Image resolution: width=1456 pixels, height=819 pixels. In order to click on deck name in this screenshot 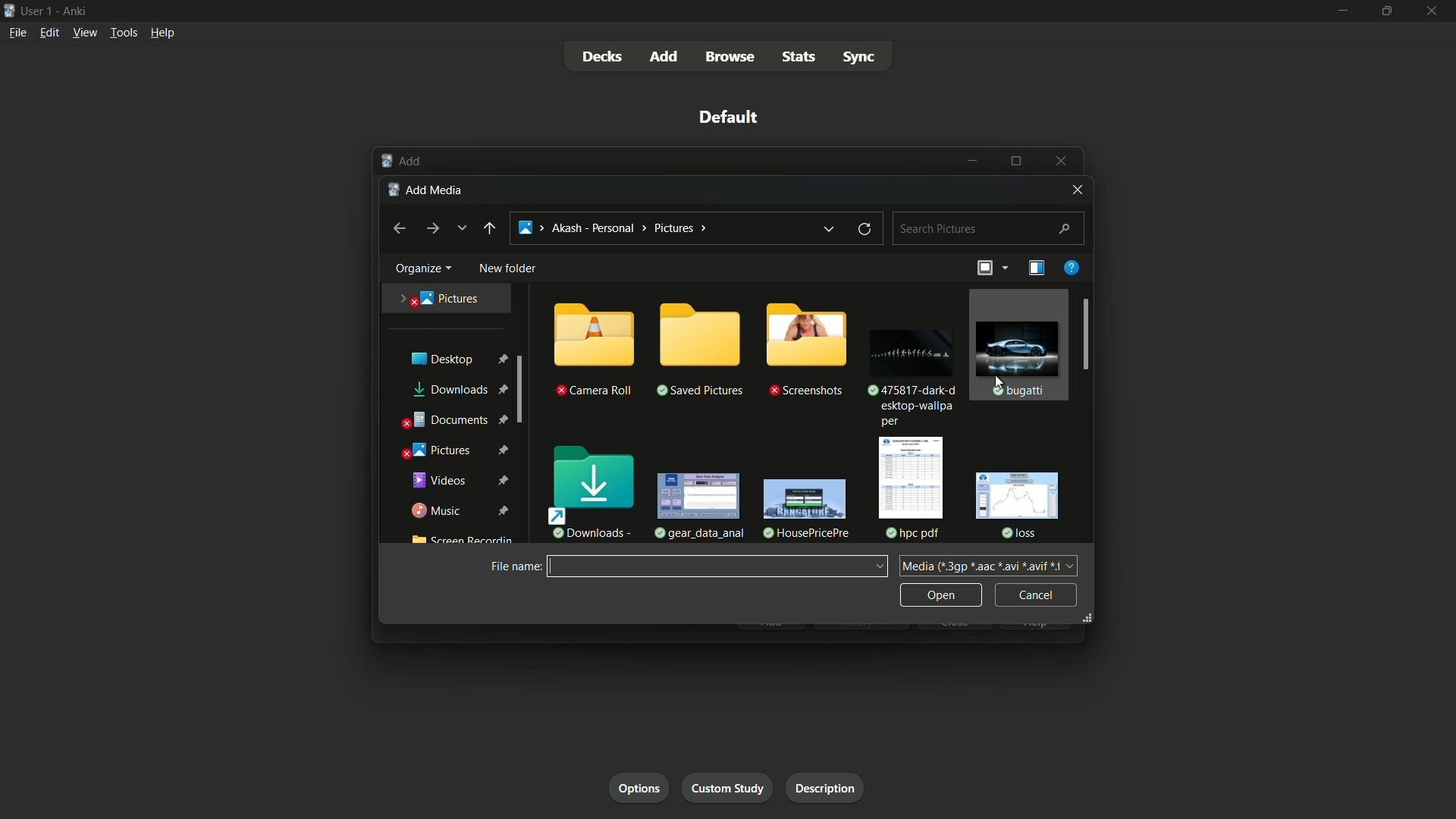, I will do `click(732, 118)`.